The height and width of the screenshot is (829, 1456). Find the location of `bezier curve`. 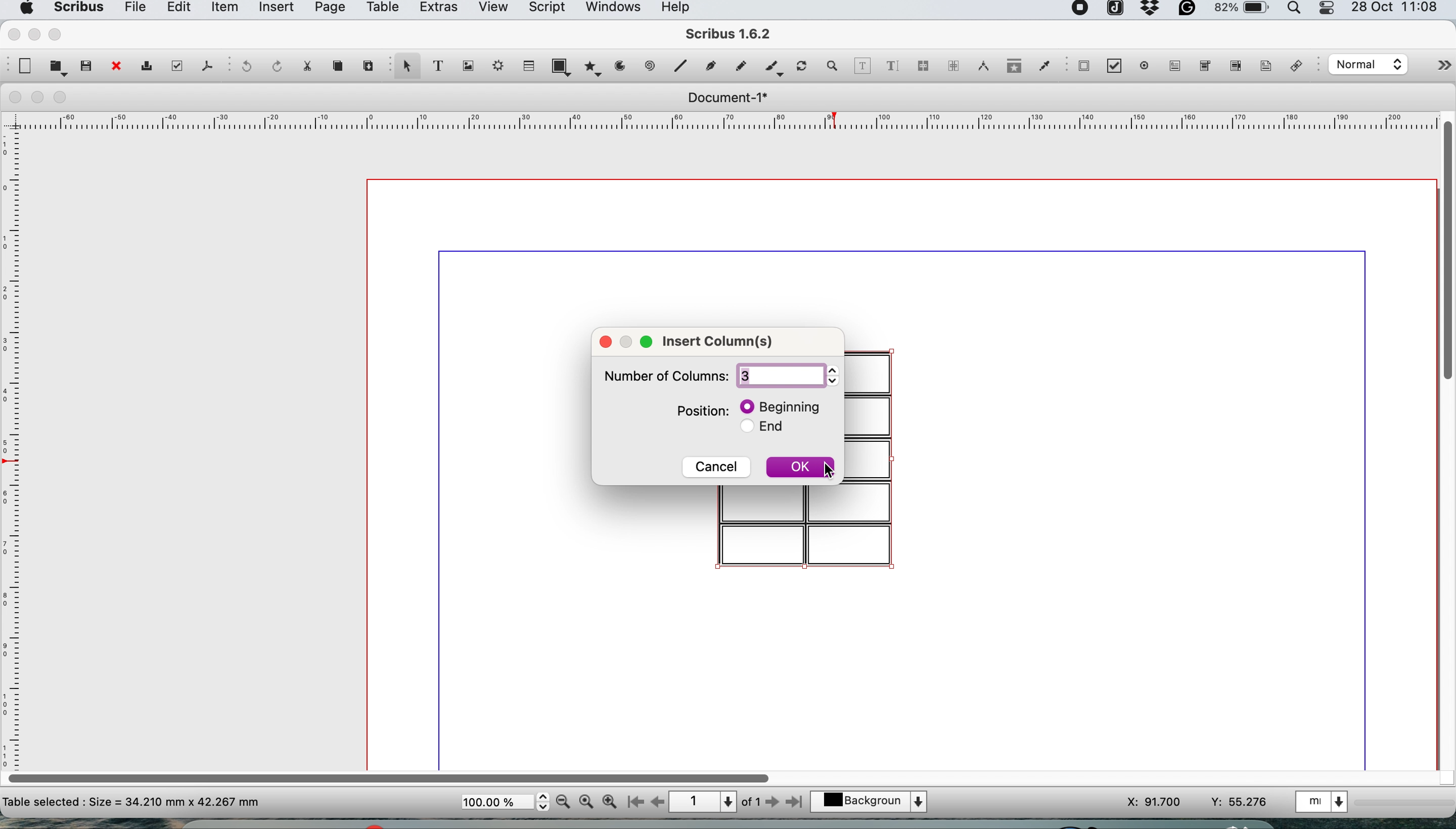

bezier curve is located at coordinates (709, 68).